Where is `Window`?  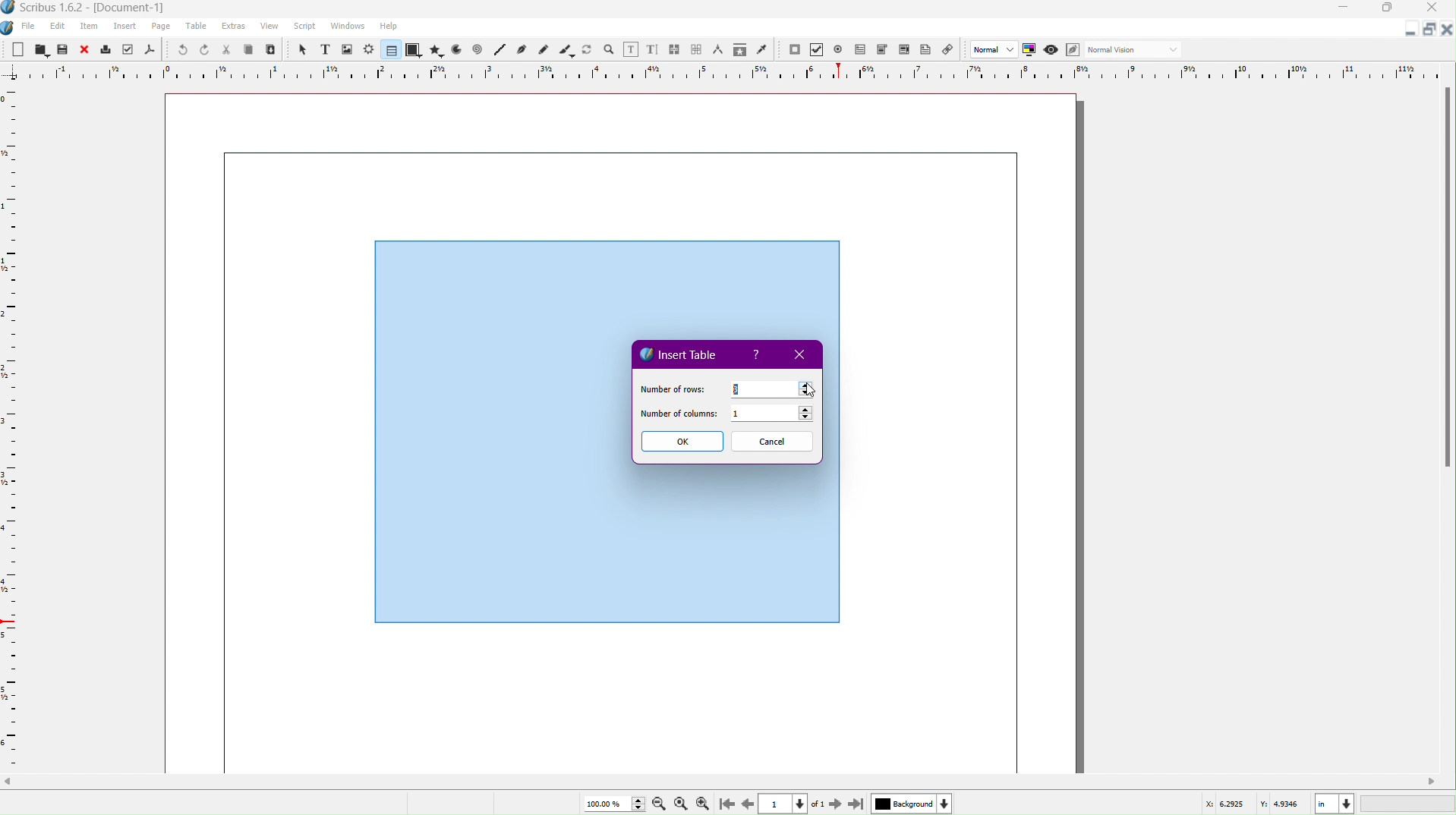
Window is located at coordinates (345, 28).